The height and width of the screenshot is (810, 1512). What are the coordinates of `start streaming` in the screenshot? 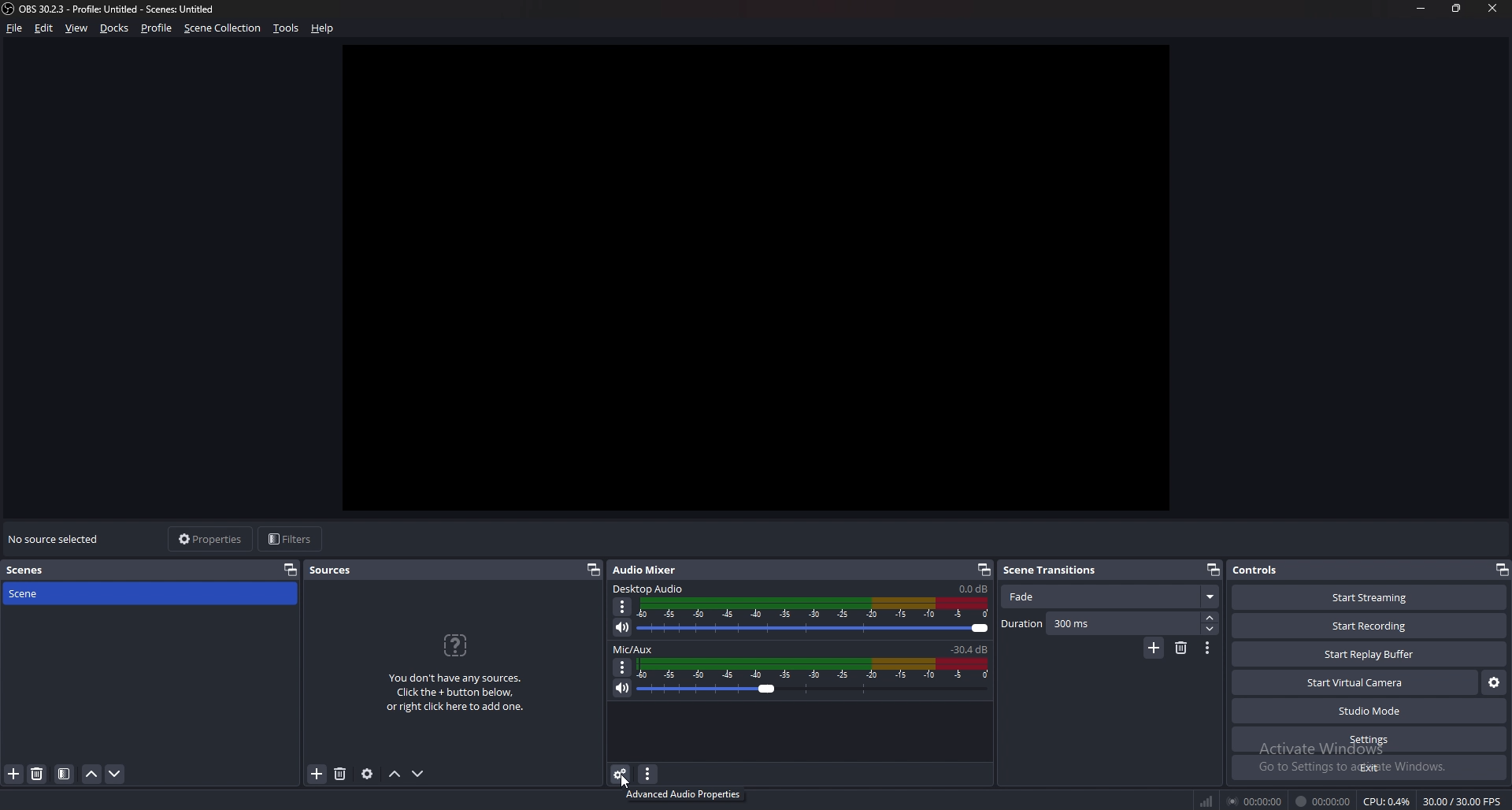 It's located at (1368, 597).